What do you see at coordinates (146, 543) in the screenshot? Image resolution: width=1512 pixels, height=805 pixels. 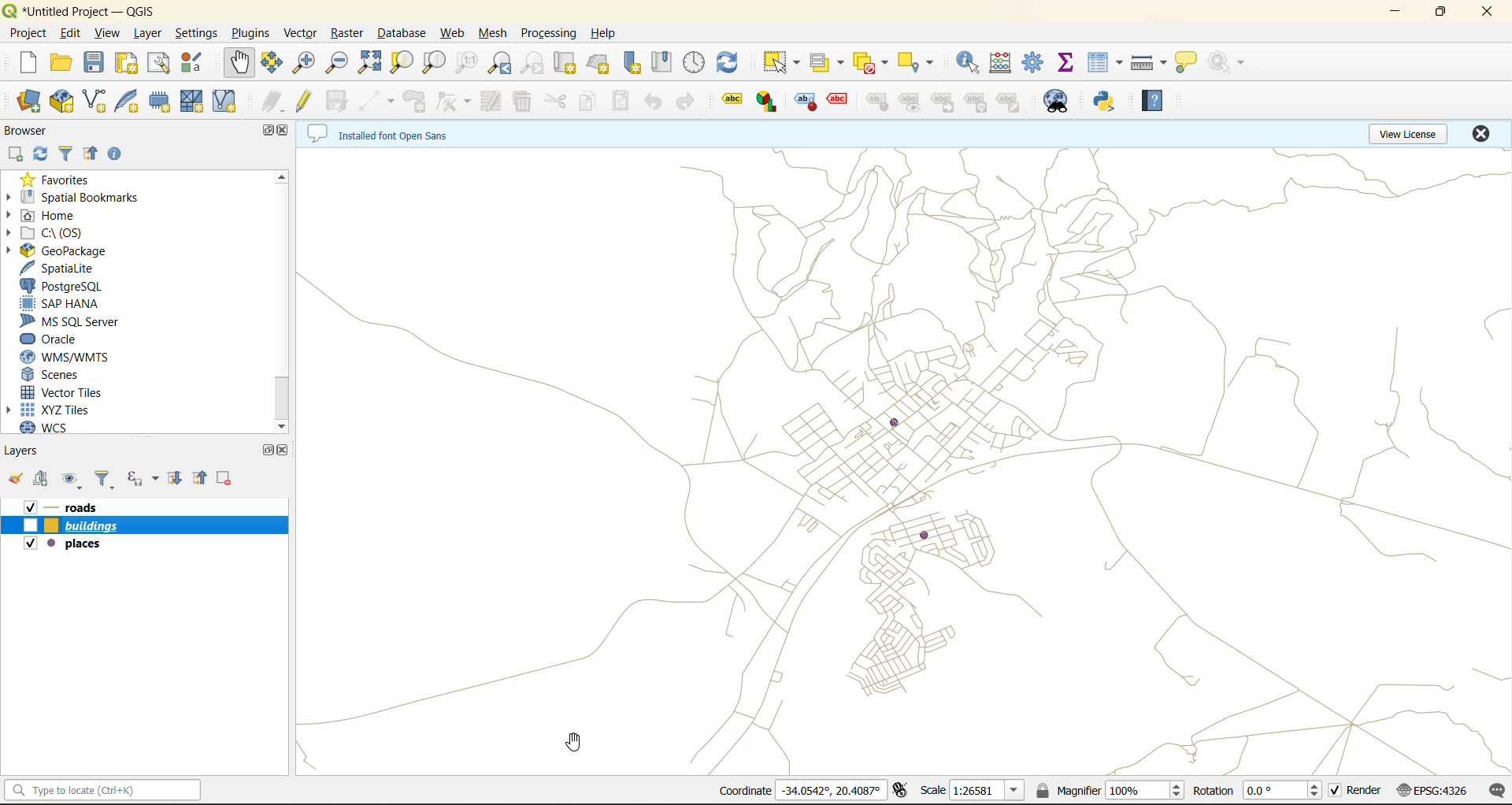 I see `layers` at bounding box center [146, 543].